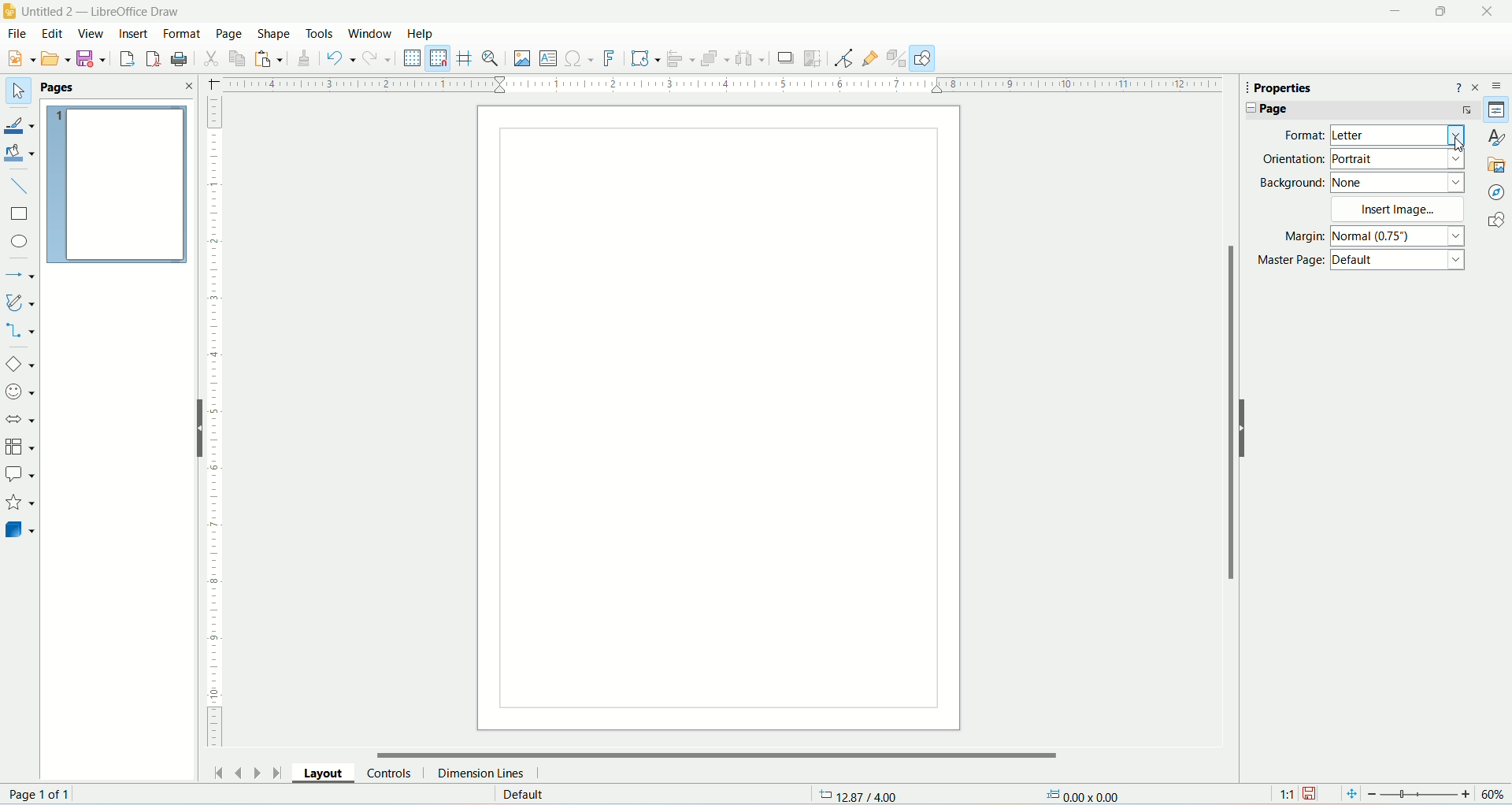  I want to click on master page, so click(1359, 260).